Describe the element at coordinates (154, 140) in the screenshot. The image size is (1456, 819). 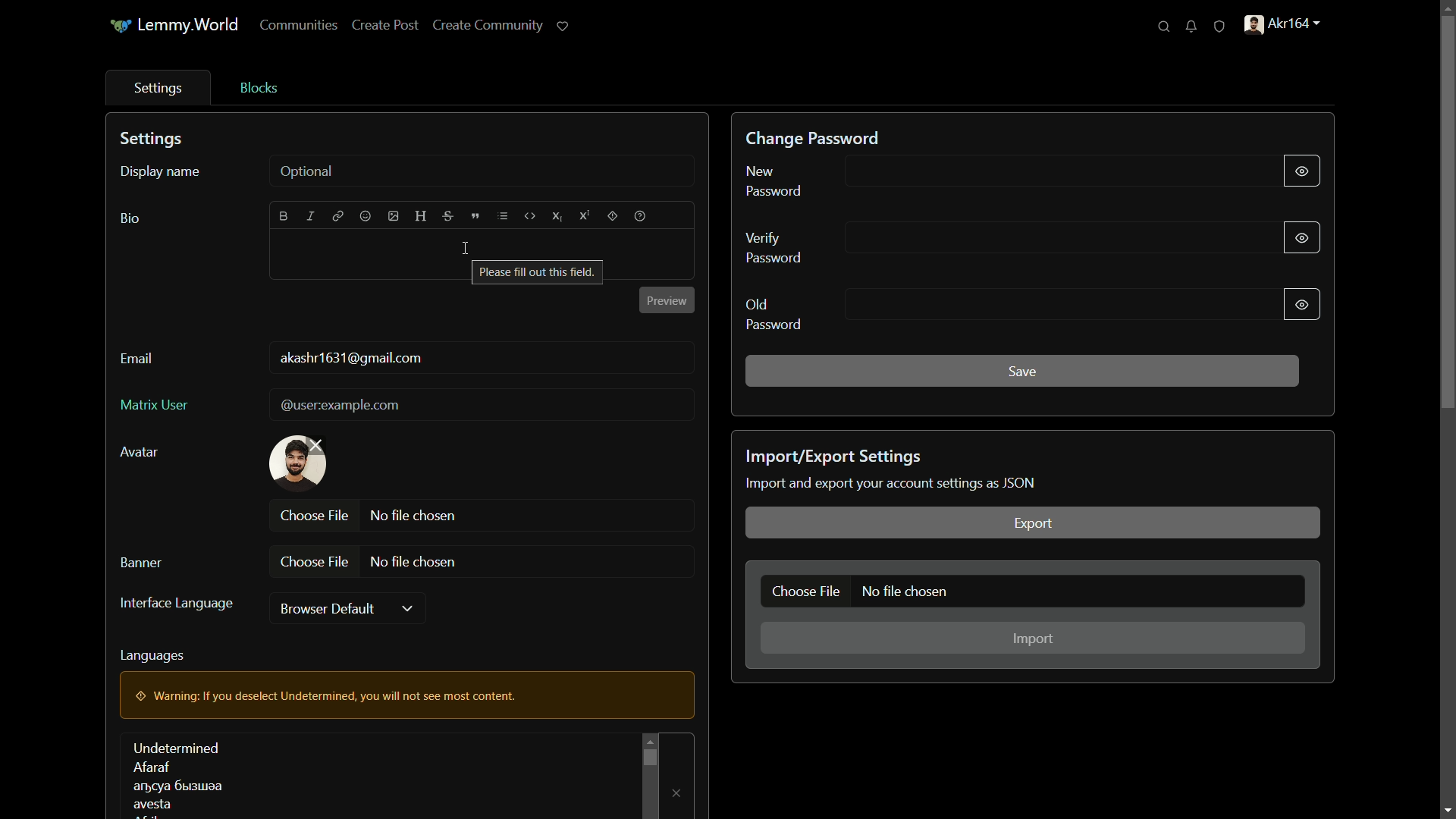
I see `settings` at that location.